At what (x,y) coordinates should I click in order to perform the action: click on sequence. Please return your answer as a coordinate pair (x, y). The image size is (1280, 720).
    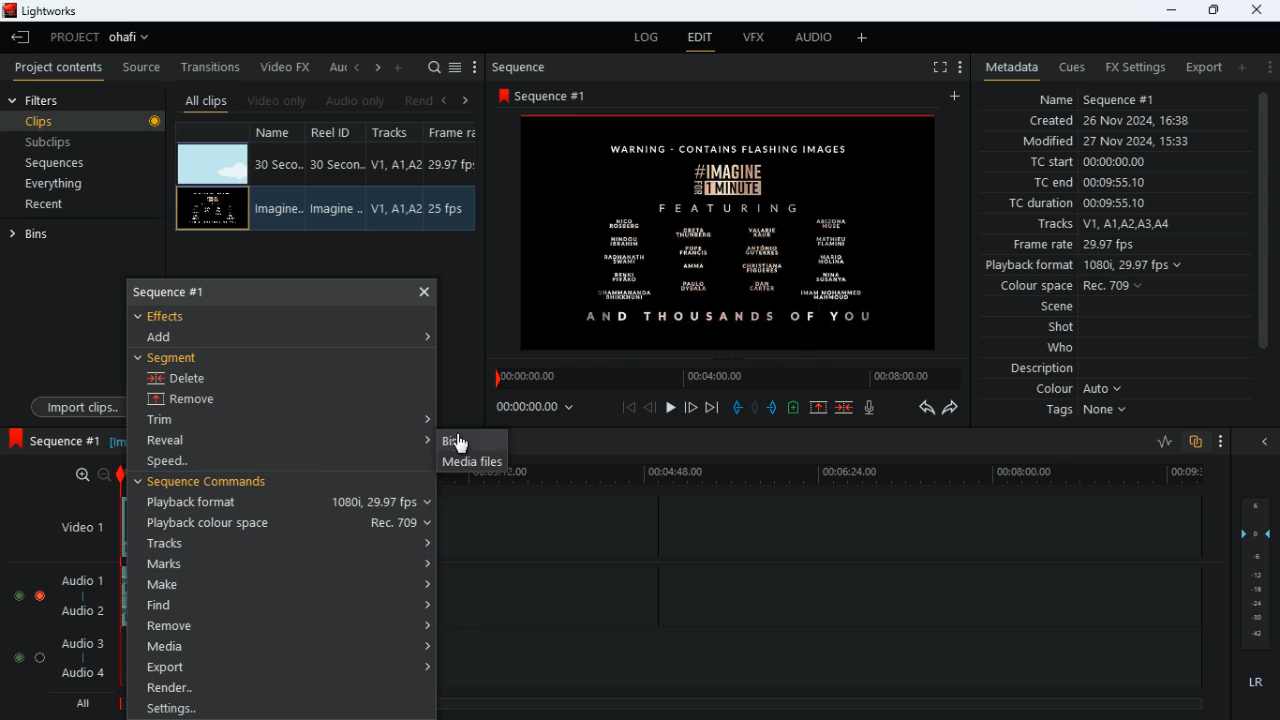
    Looking at the image, I should click on (55, 438).